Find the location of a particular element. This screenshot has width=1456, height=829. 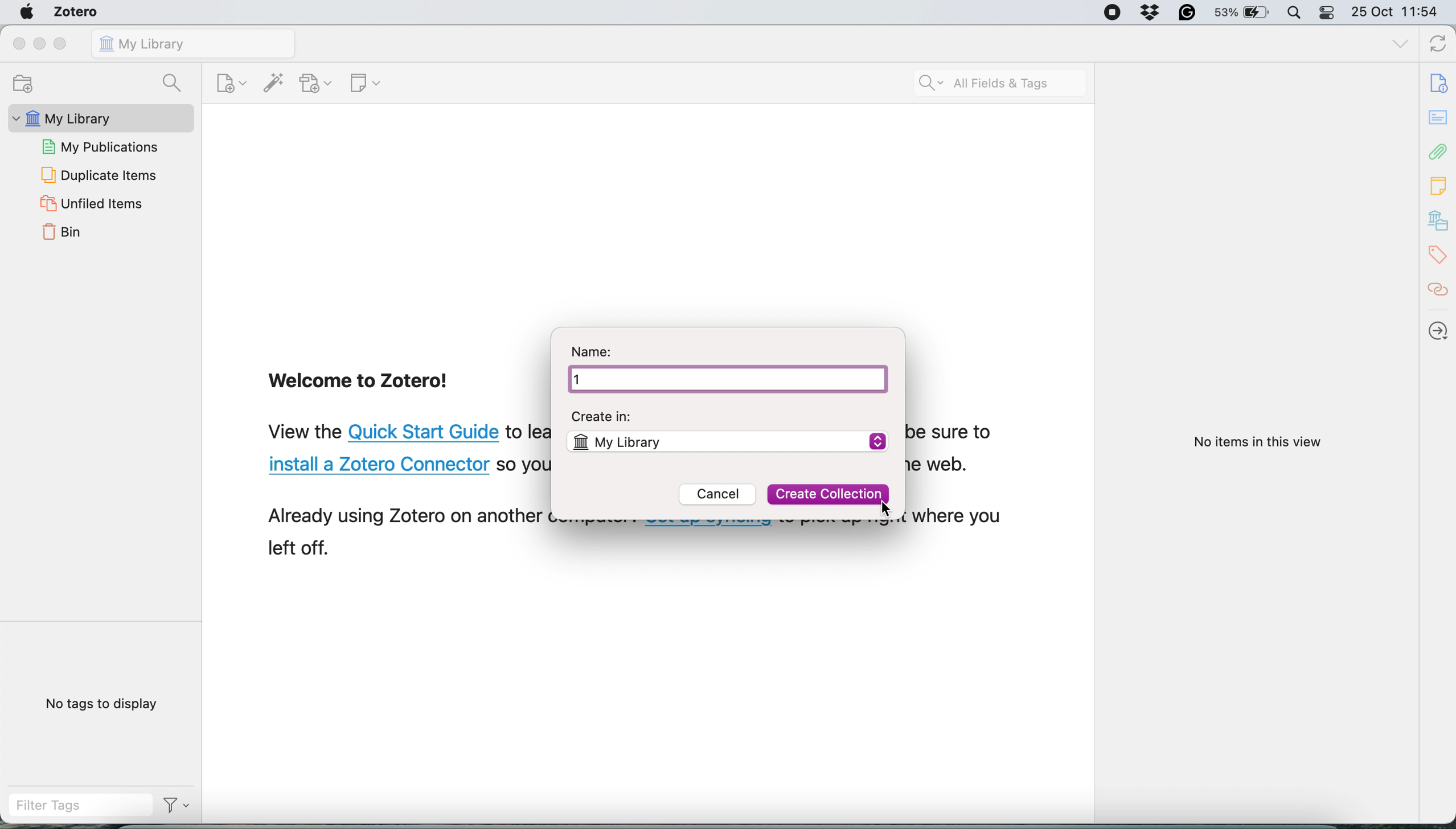

grammarly is located at coordinates (1187, 13).